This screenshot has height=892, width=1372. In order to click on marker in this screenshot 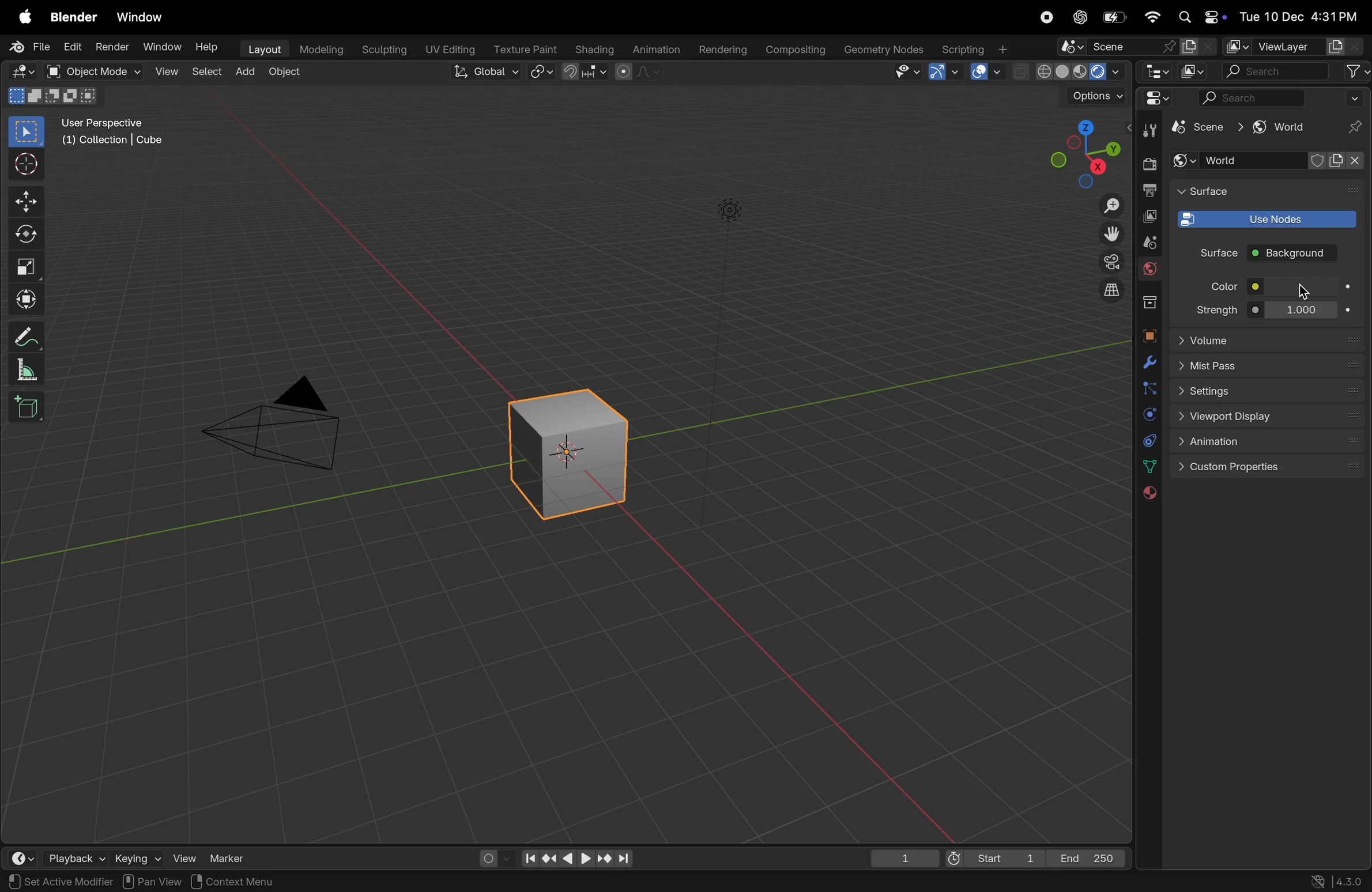, I will do `click(236, 857)`.